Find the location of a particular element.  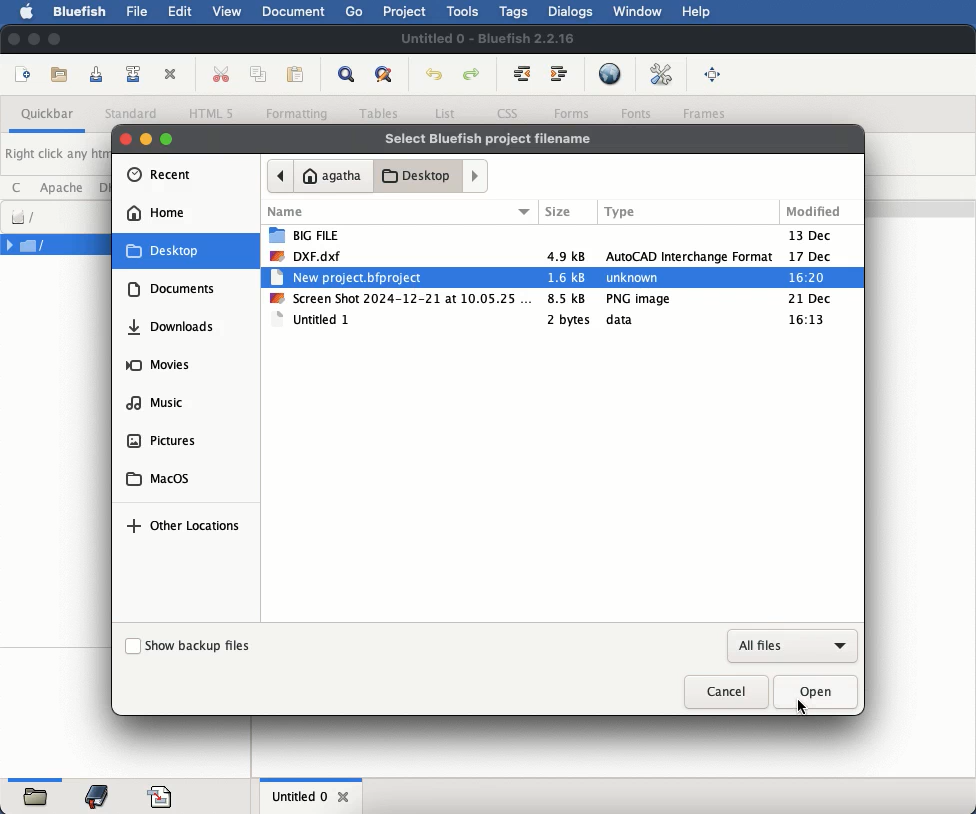

formatting is located at coordinates (298, 115).